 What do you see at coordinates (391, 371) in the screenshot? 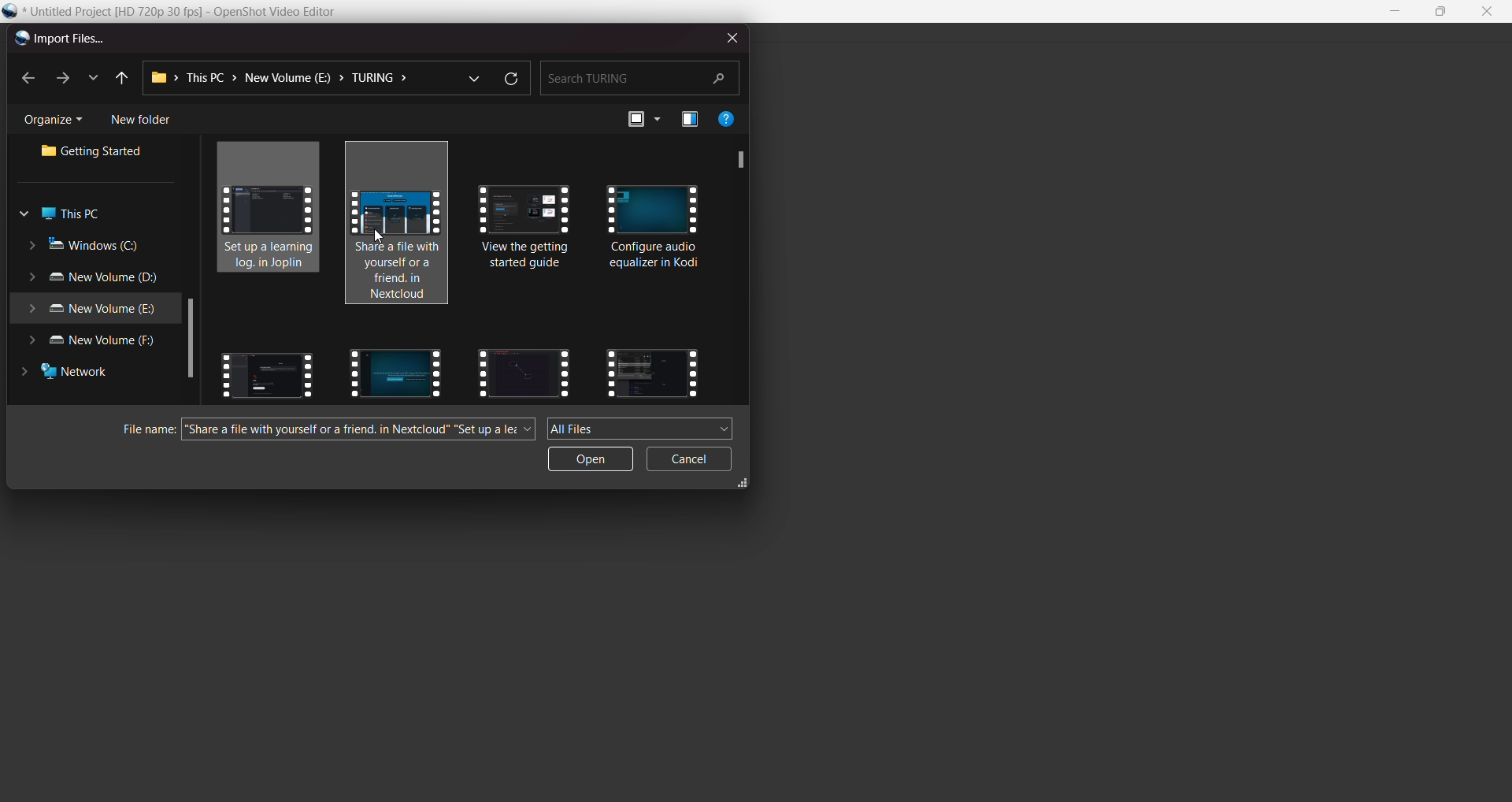
I see `videos` at bounding box center [391, 371].